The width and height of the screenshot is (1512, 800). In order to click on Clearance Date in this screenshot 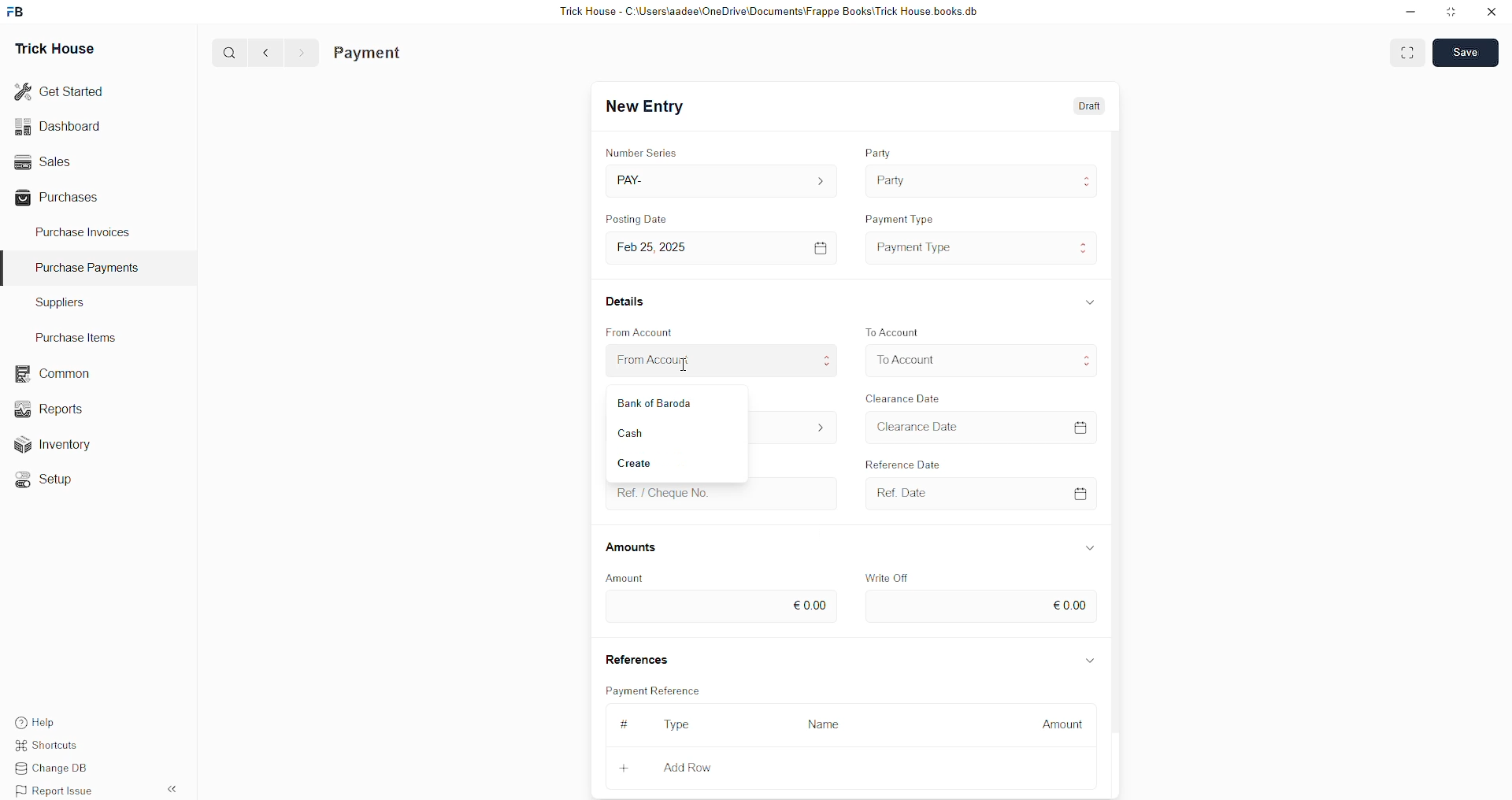, I will do `click(925, 428)`.